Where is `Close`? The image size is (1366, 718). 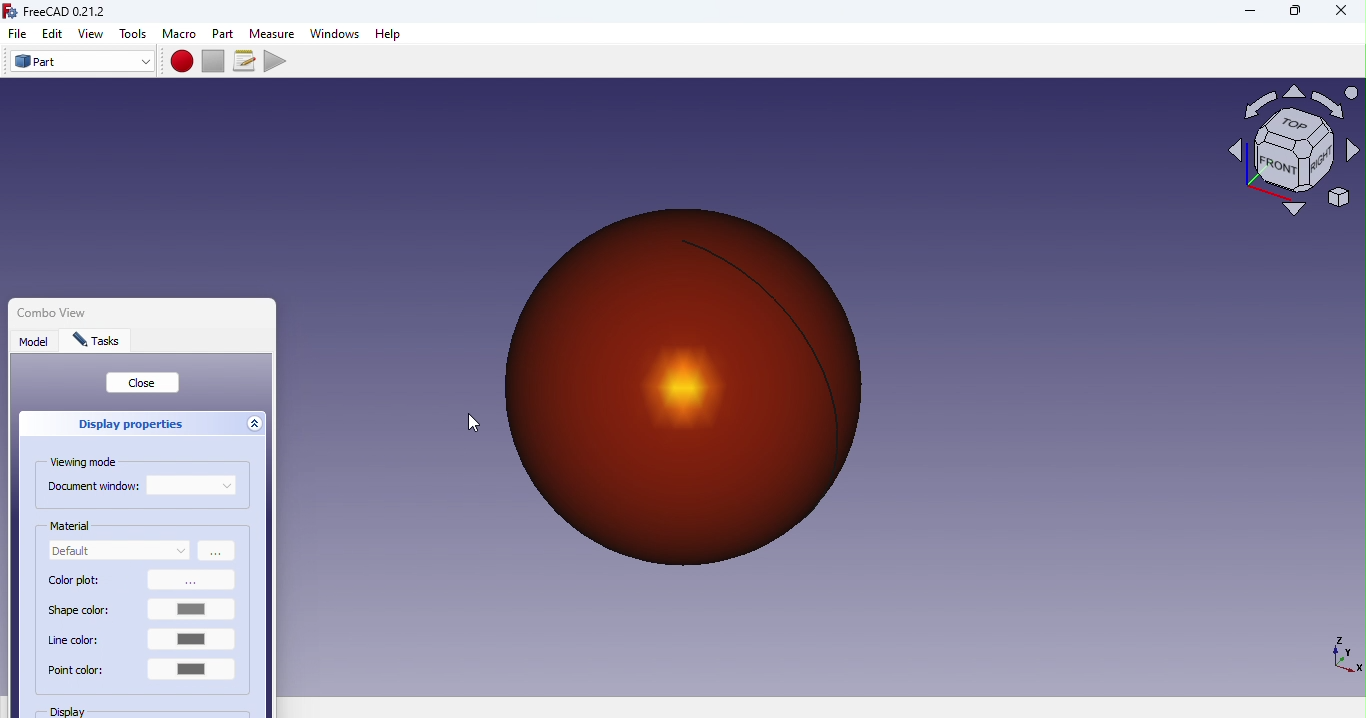 Close is located at coordinates (144, 383).